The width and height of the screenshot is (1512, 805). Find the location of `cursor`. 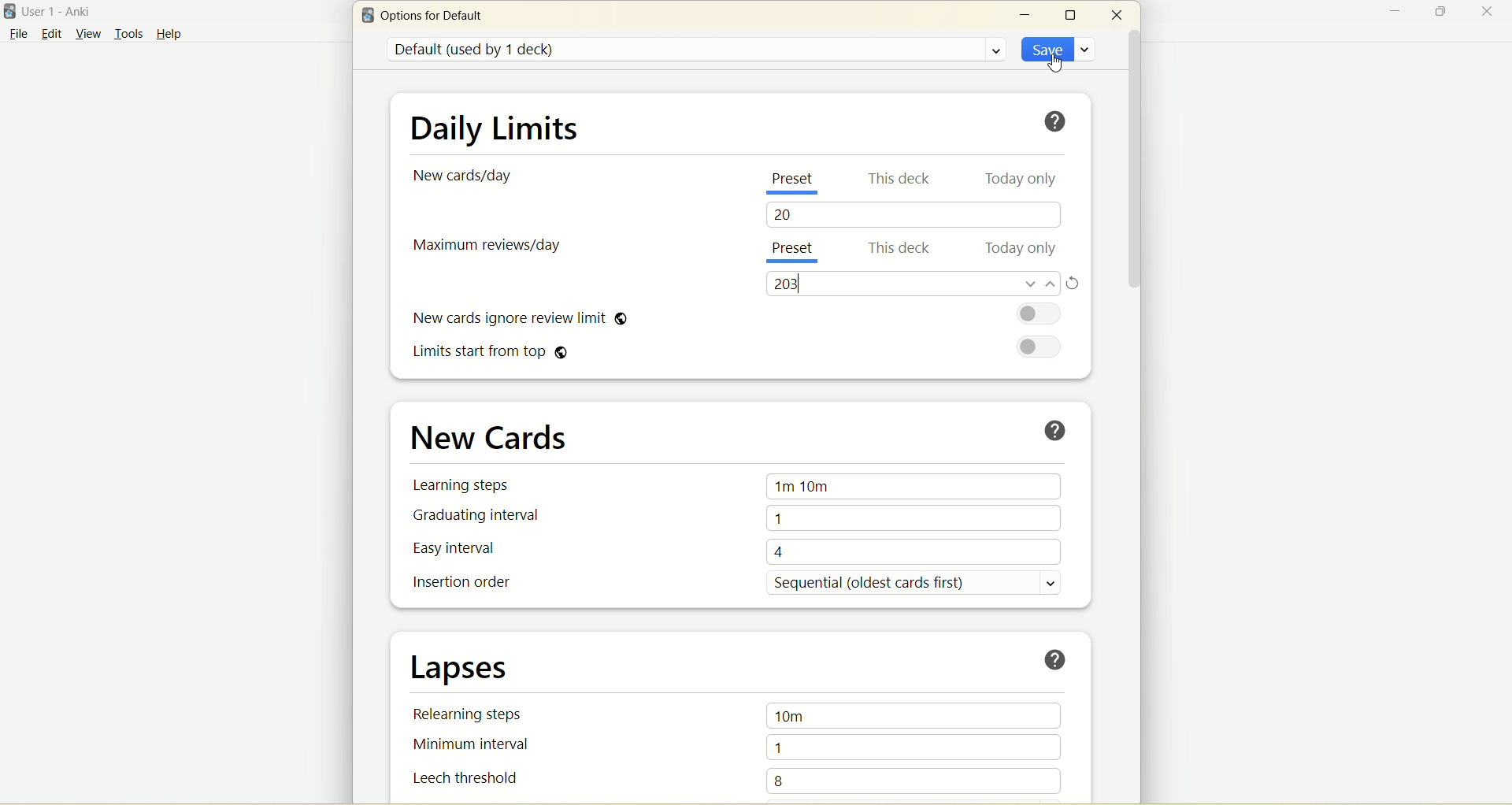

cursor is located at coordinates (1056, 65).